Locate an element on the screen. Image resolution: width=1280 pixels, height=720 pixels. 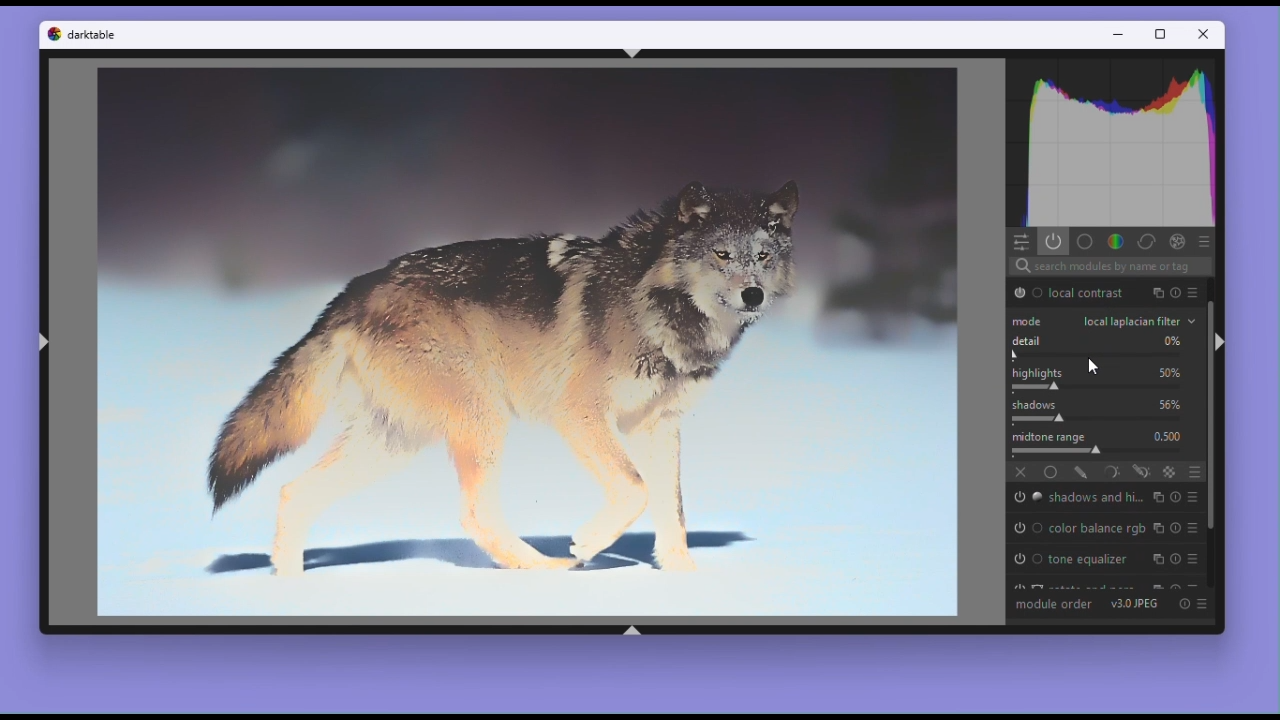
Multiple instance is located at coordinates (1160, 528).